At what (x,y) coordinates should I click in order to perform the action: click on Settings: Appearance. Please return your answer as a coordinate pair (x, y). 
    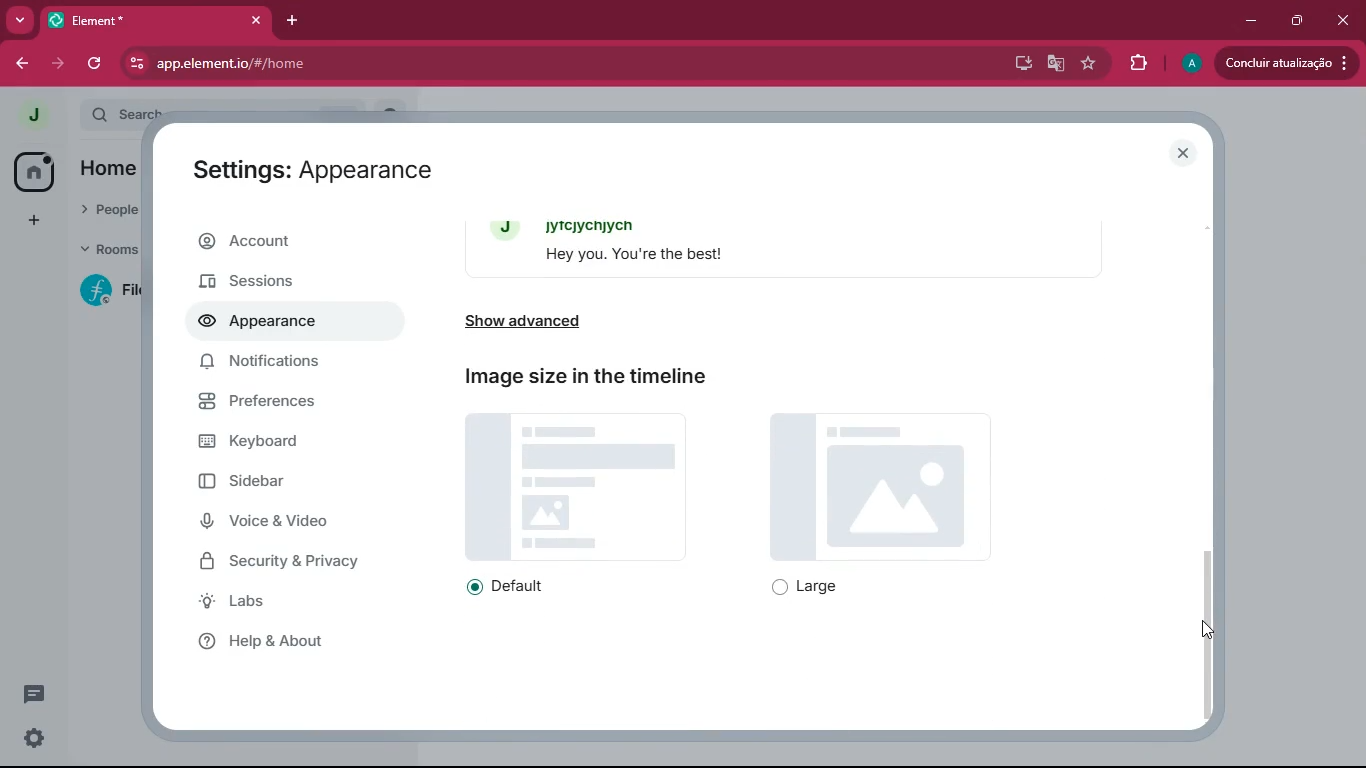
    Looking at the image, I should click on (314, 174).